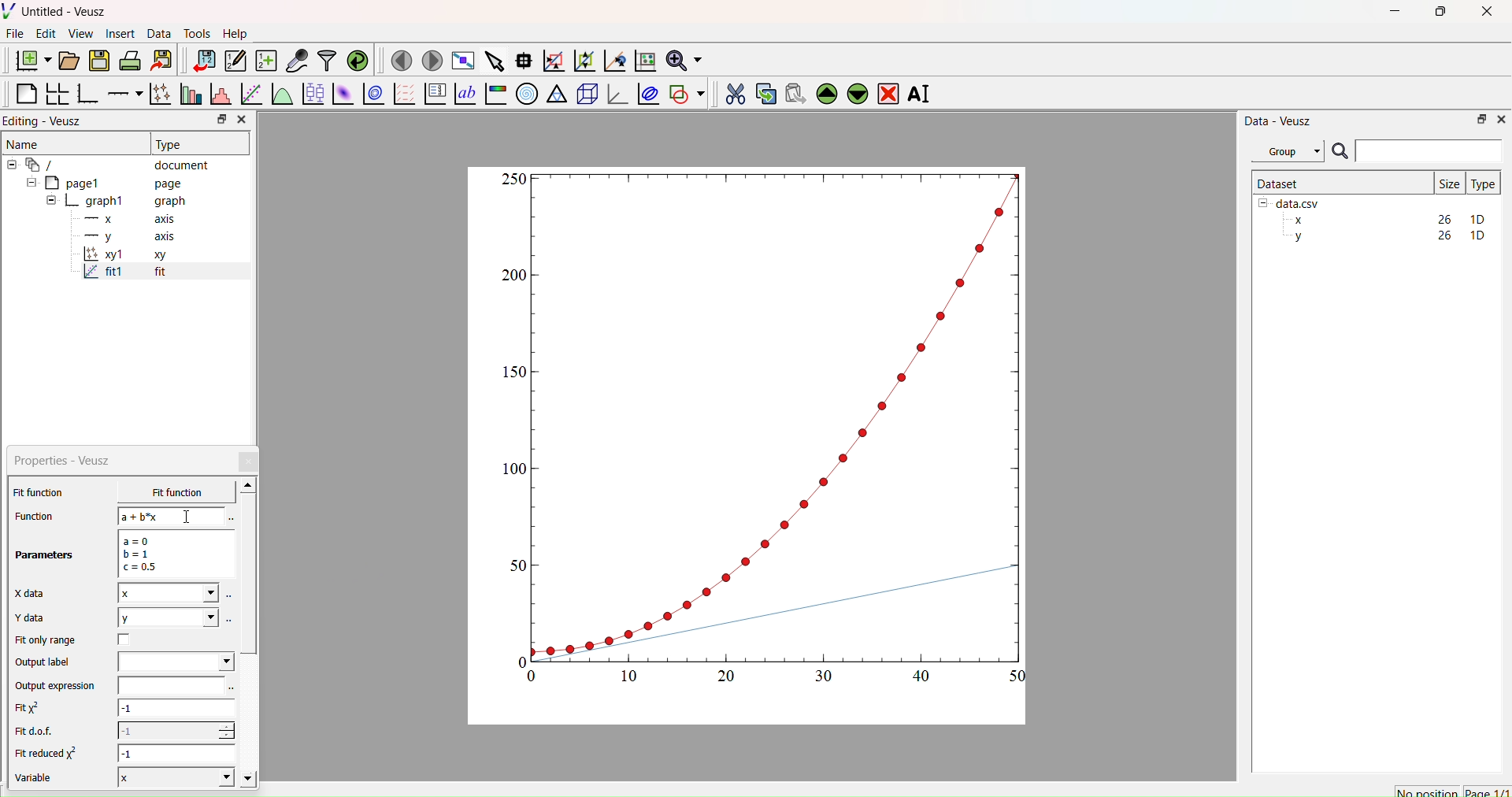 The image size is (1512, 797). Describe the element at coordinates (217, 96) in the screenshot. I see `Histogram of a dataset` at that location.